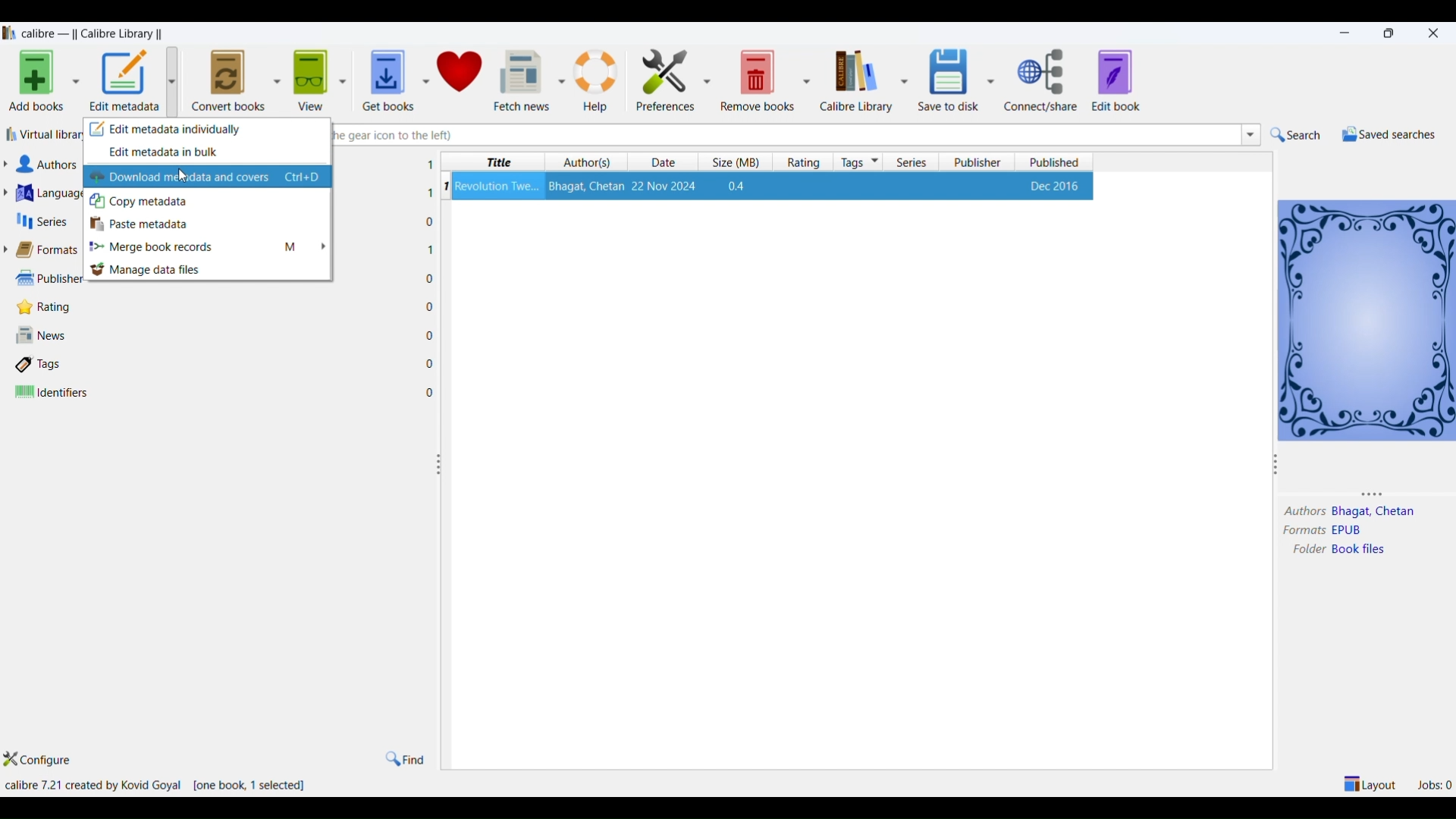 Image resolution: width=1456 pixels, height=819 pixels. What do you see at coordinates (383, 76) in the screenshot?
I see `get books` at bounding box center [383, 76].